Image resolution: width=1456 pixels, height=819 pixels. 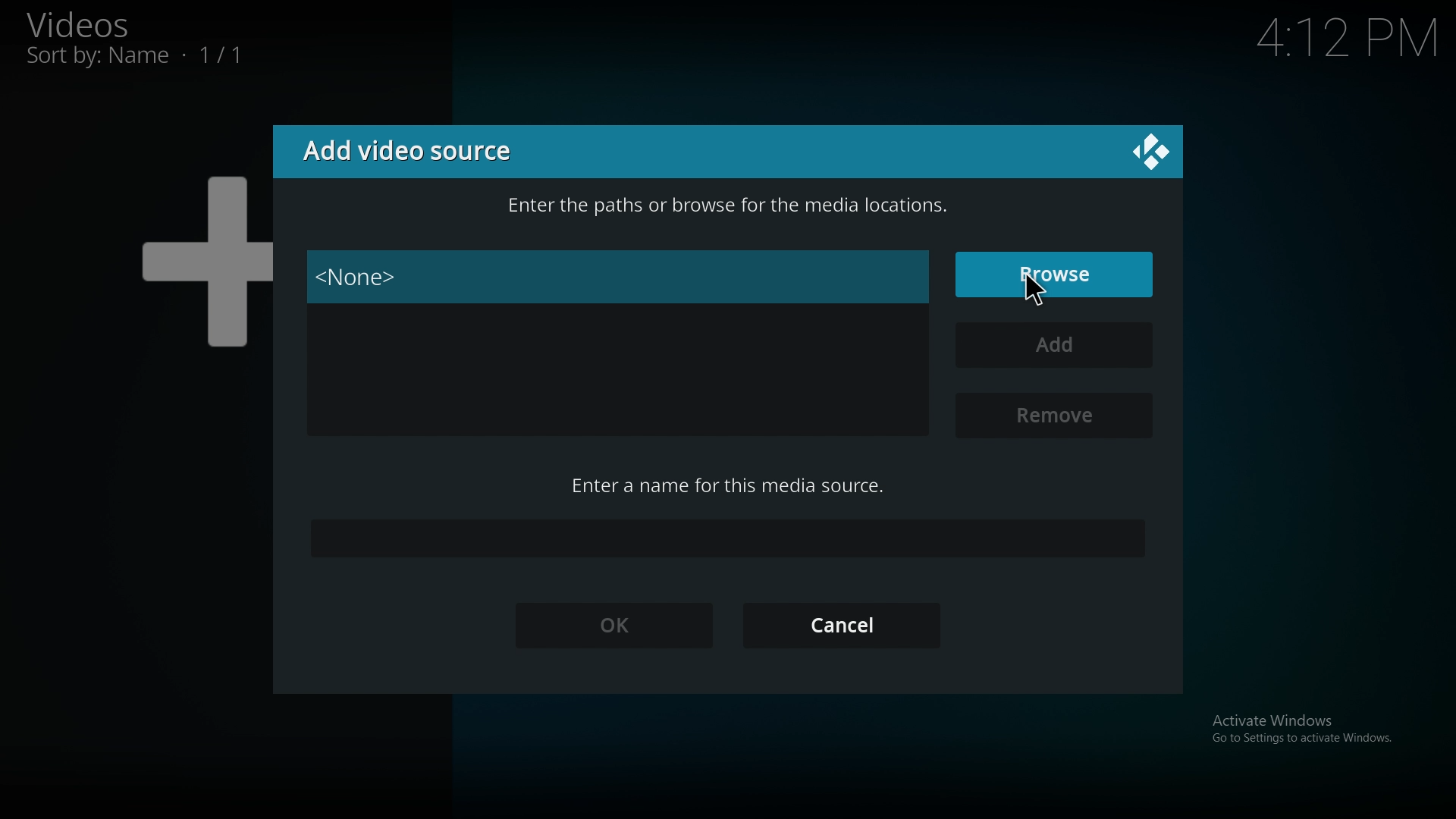 I want to click on none, so click(x=392, y=279).